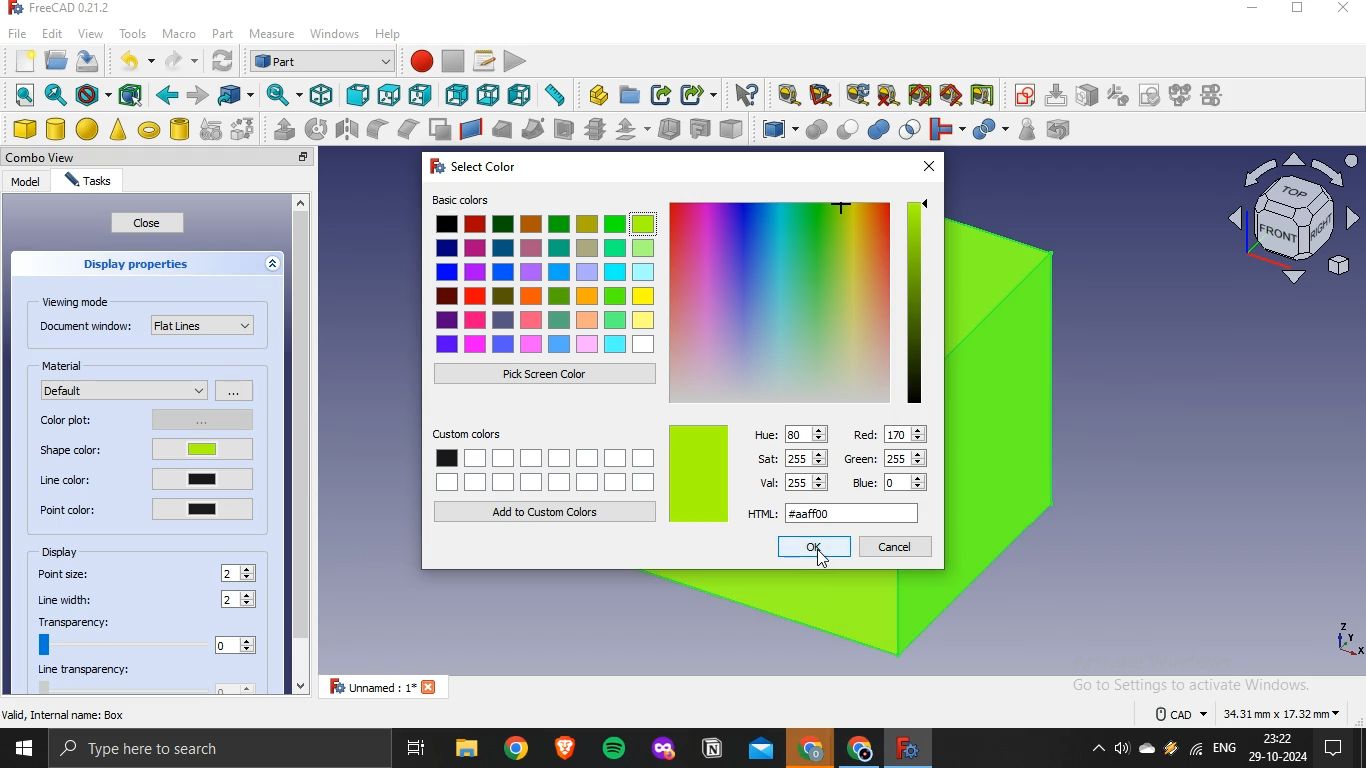  What do you see at coordinates (1196, 752) in the screenshot?
I see `wifi` at bounding box center [1196, 752].